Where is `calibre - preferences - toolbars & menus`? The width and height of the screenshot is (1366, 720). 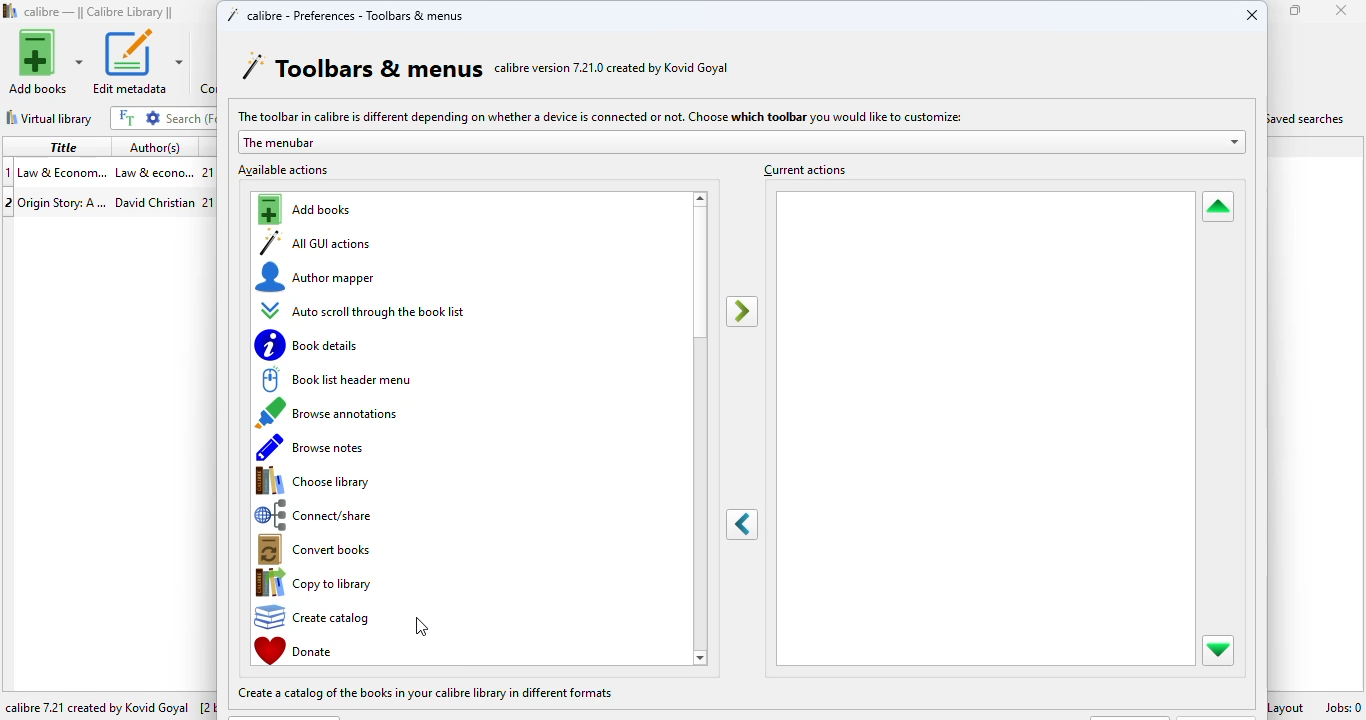 calibre - preferences - toolbars & menus is located at coordinates (344, 14).